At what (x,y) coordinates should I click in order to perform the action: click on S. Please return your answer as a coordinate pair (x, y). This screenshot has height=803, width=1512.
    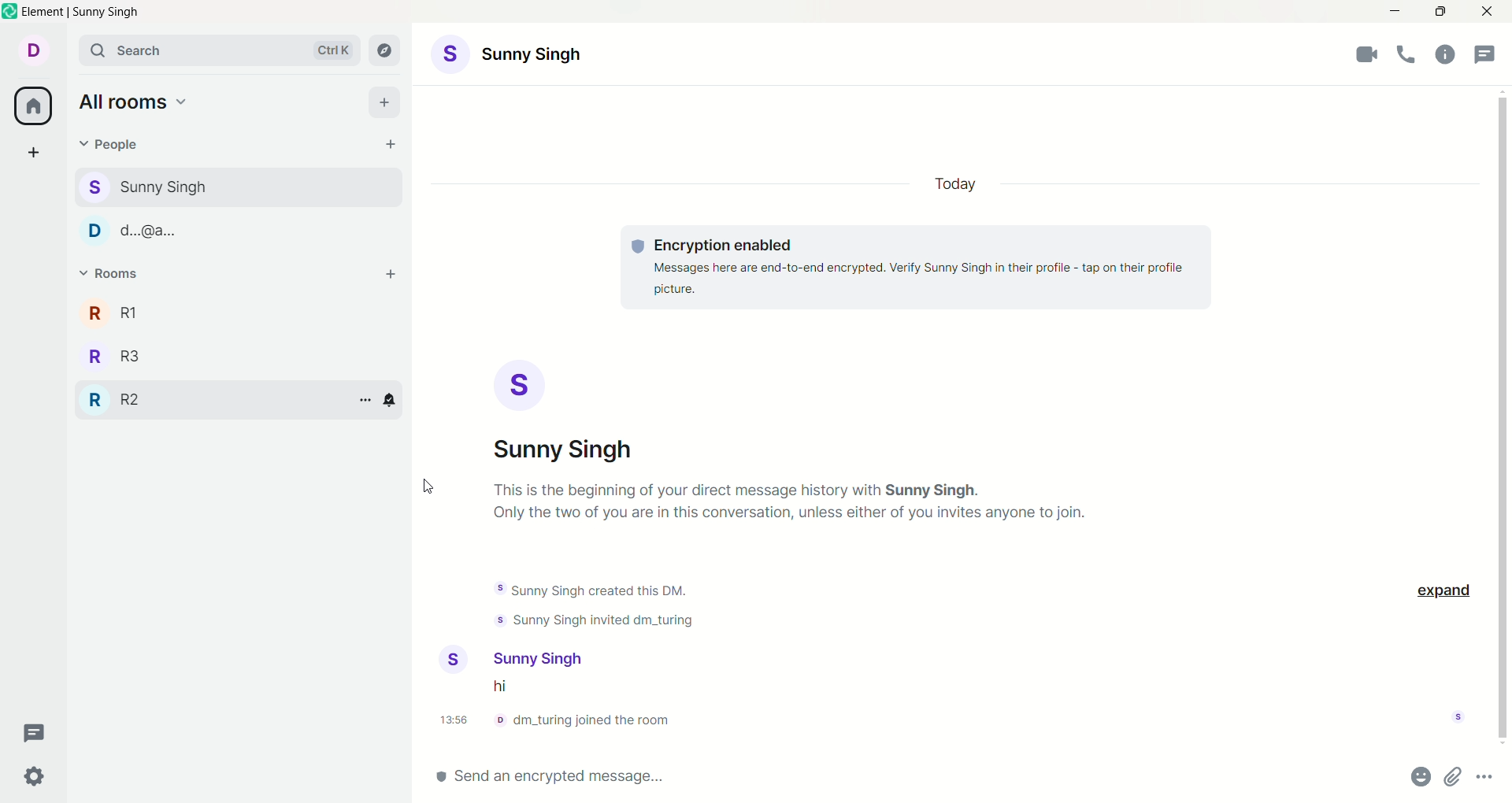
    Looking at the image, I should click on (514, 383).